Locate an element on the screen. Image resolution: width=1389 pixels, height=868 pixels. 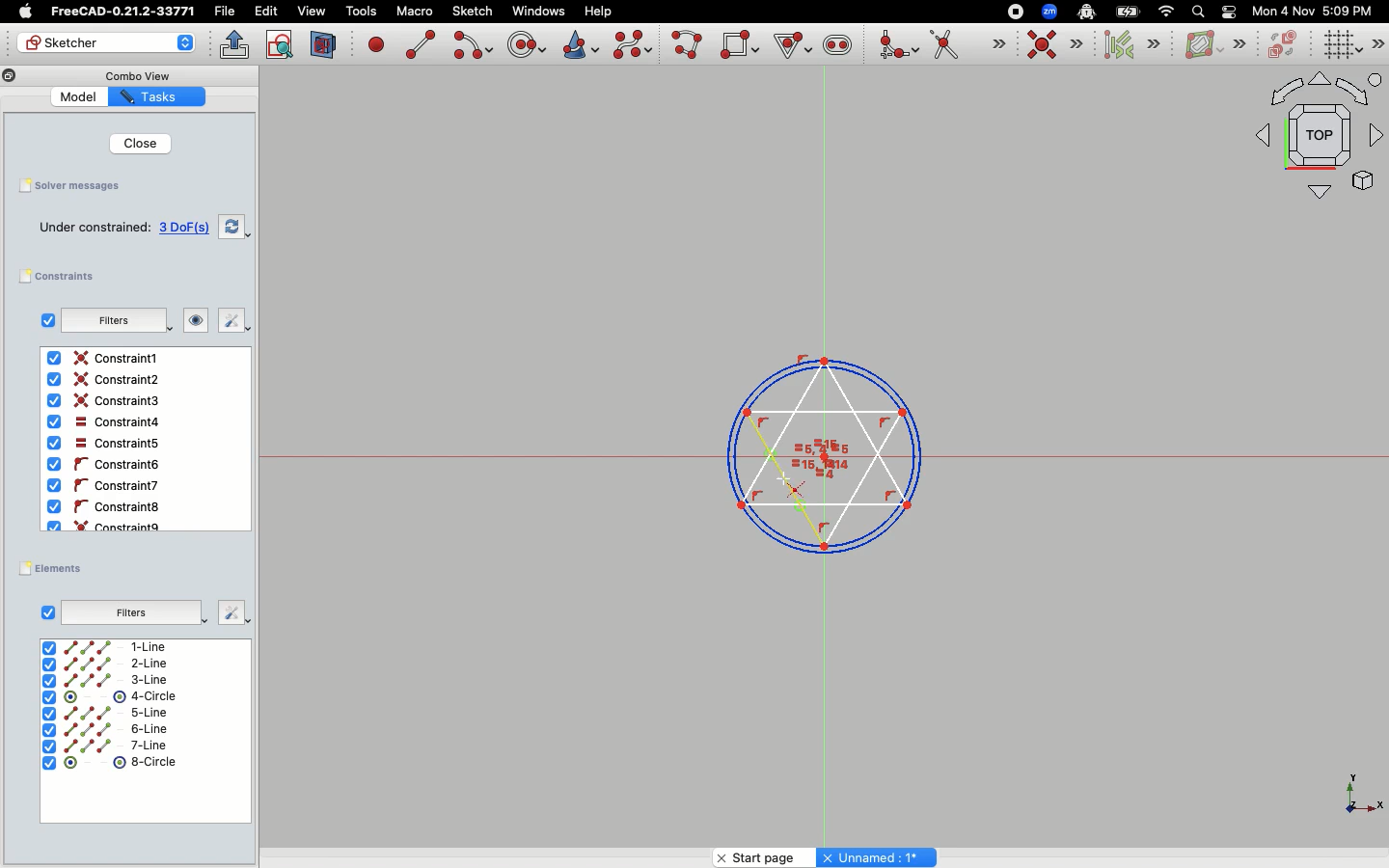
Trim edge is located at coordinates (967, 46).